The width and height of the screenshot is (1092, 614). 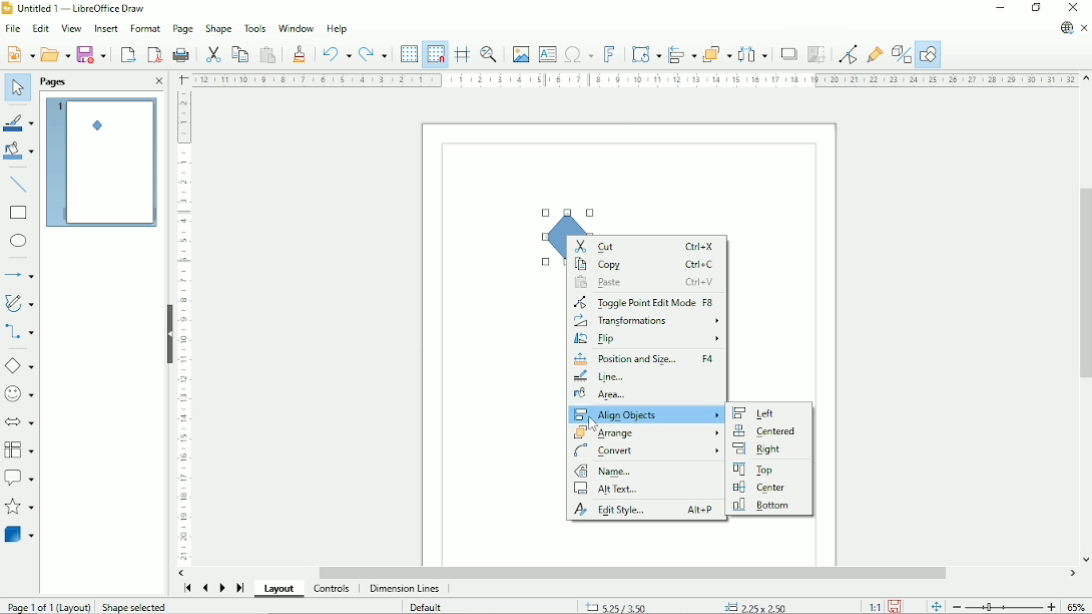 What do you see at coordinates (39, 28) in the screenshot?
I see `Edit` at bounding box center [39, 28].